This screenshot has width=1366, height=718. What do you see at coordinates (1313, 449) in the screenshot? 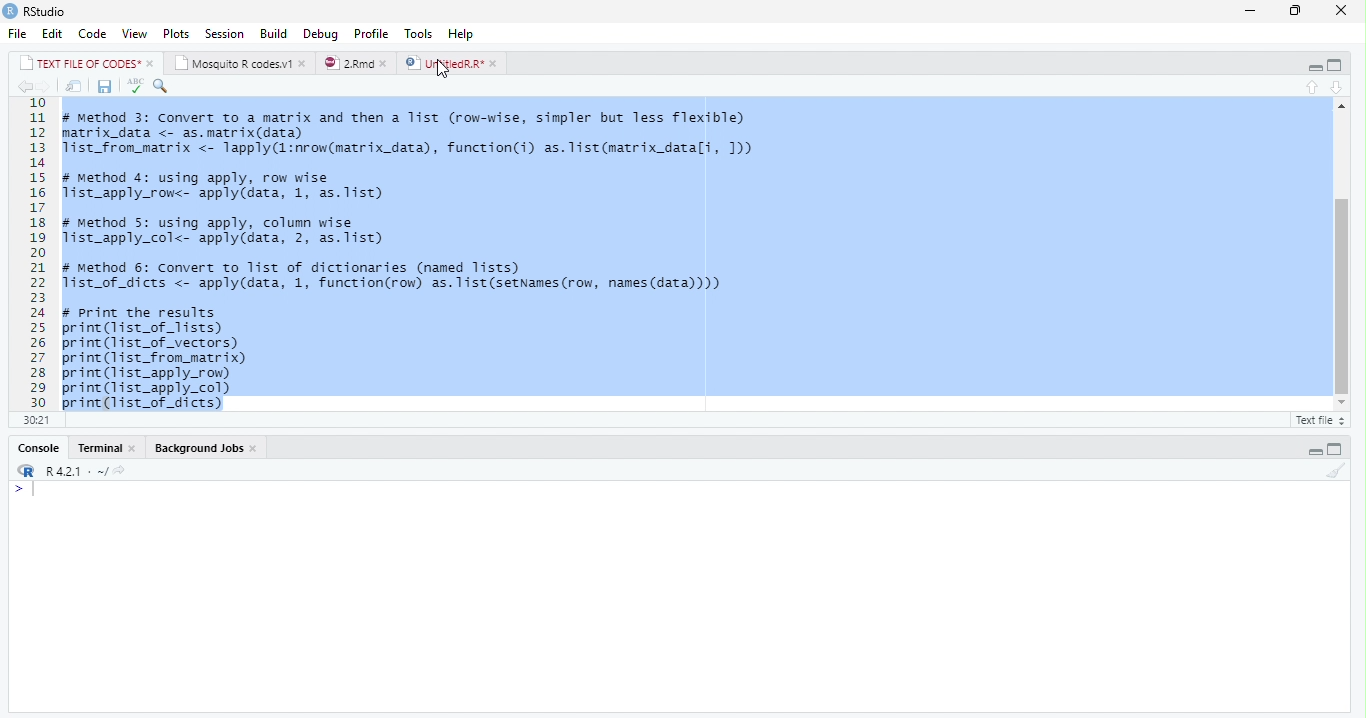
I see `Hide` at bounding box center [1313, 449].